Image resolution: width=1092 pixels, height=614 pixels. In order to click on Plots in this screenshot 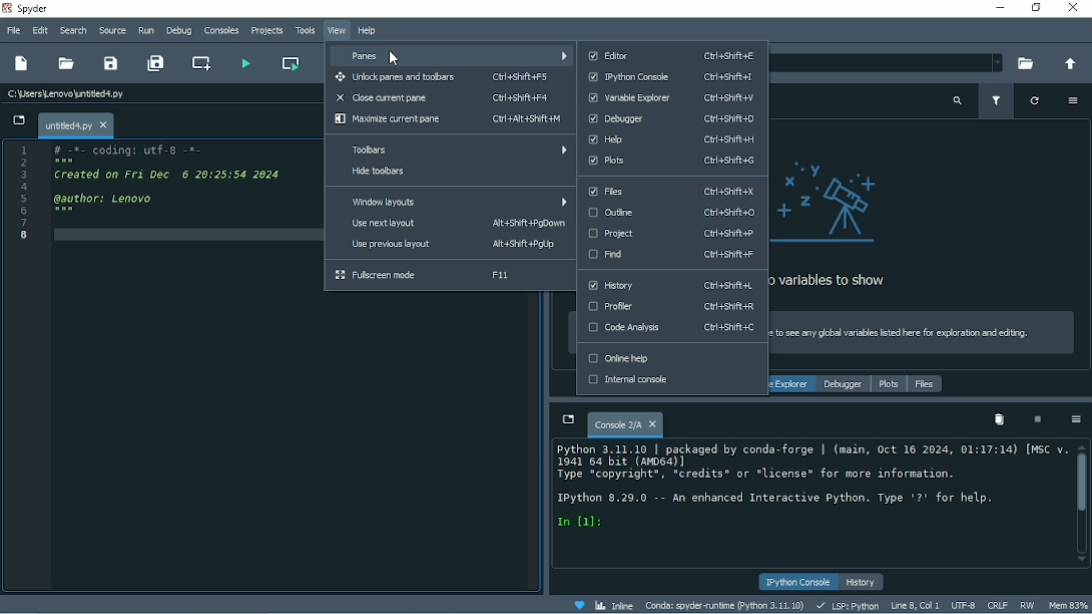, I will do `click(889, 385)`.